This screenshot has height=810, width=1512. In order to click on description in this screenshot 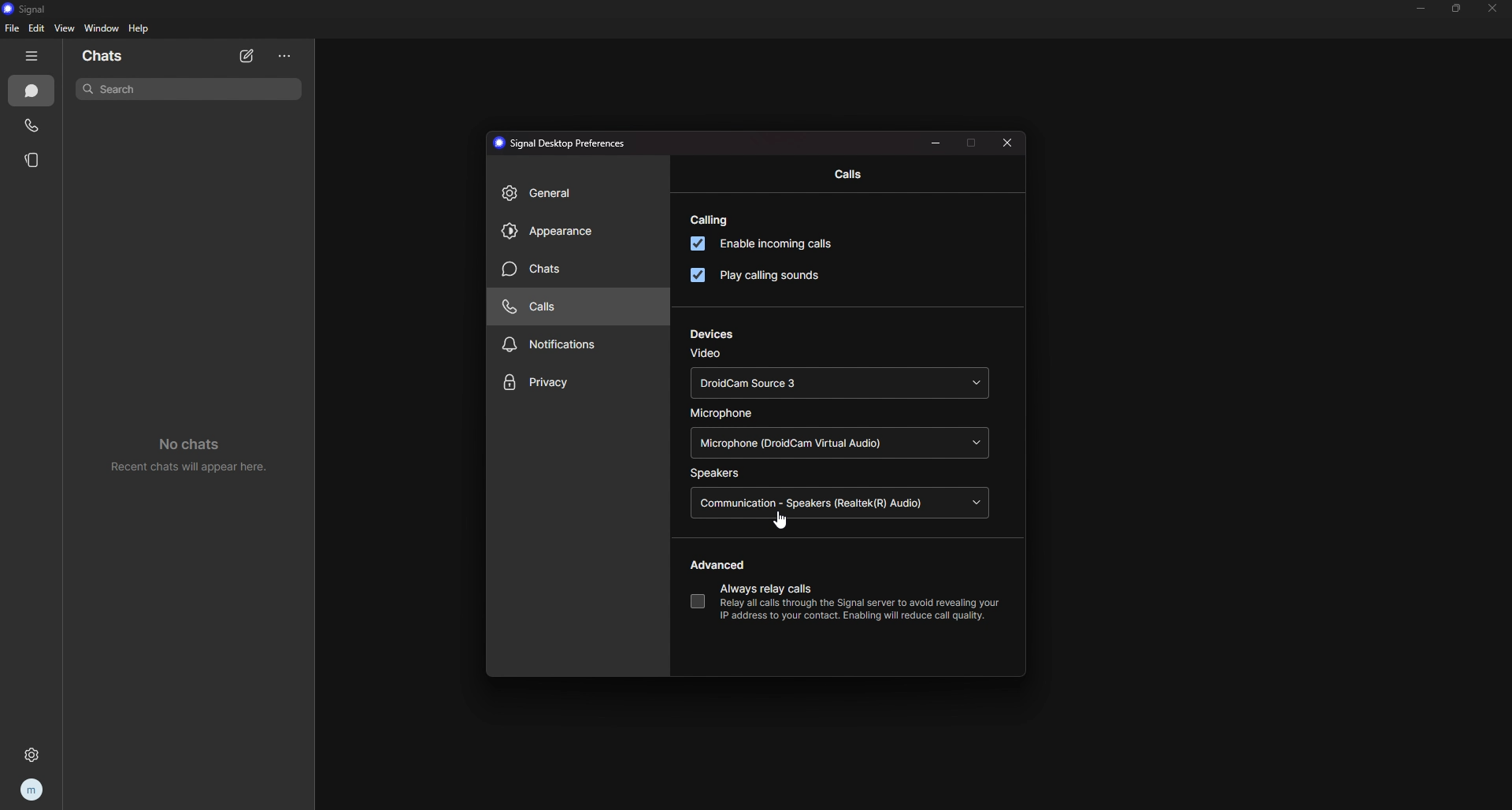, I will do `click(851, 610)`.